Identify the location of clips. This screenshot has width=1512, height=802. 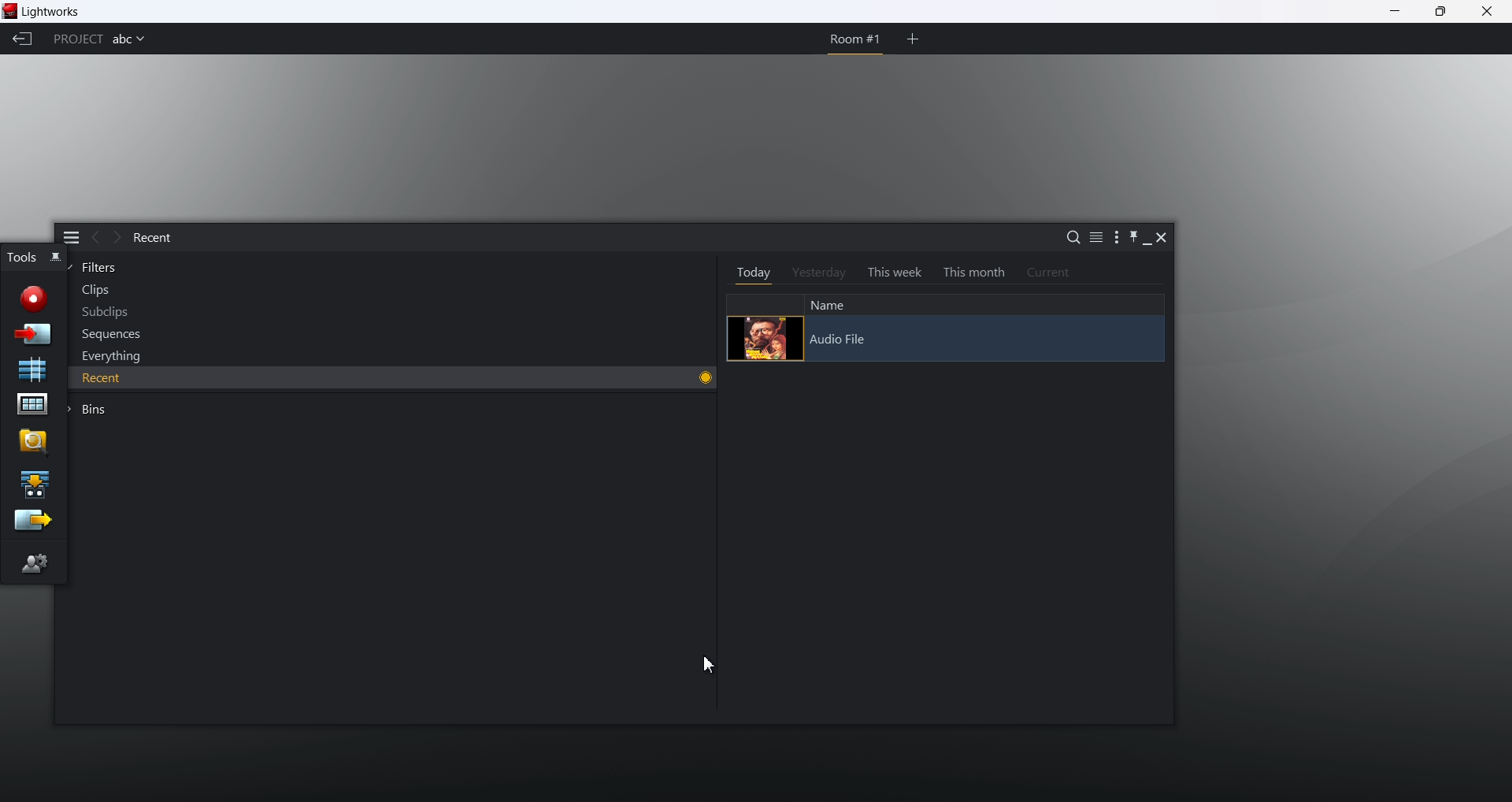
(90, 291).